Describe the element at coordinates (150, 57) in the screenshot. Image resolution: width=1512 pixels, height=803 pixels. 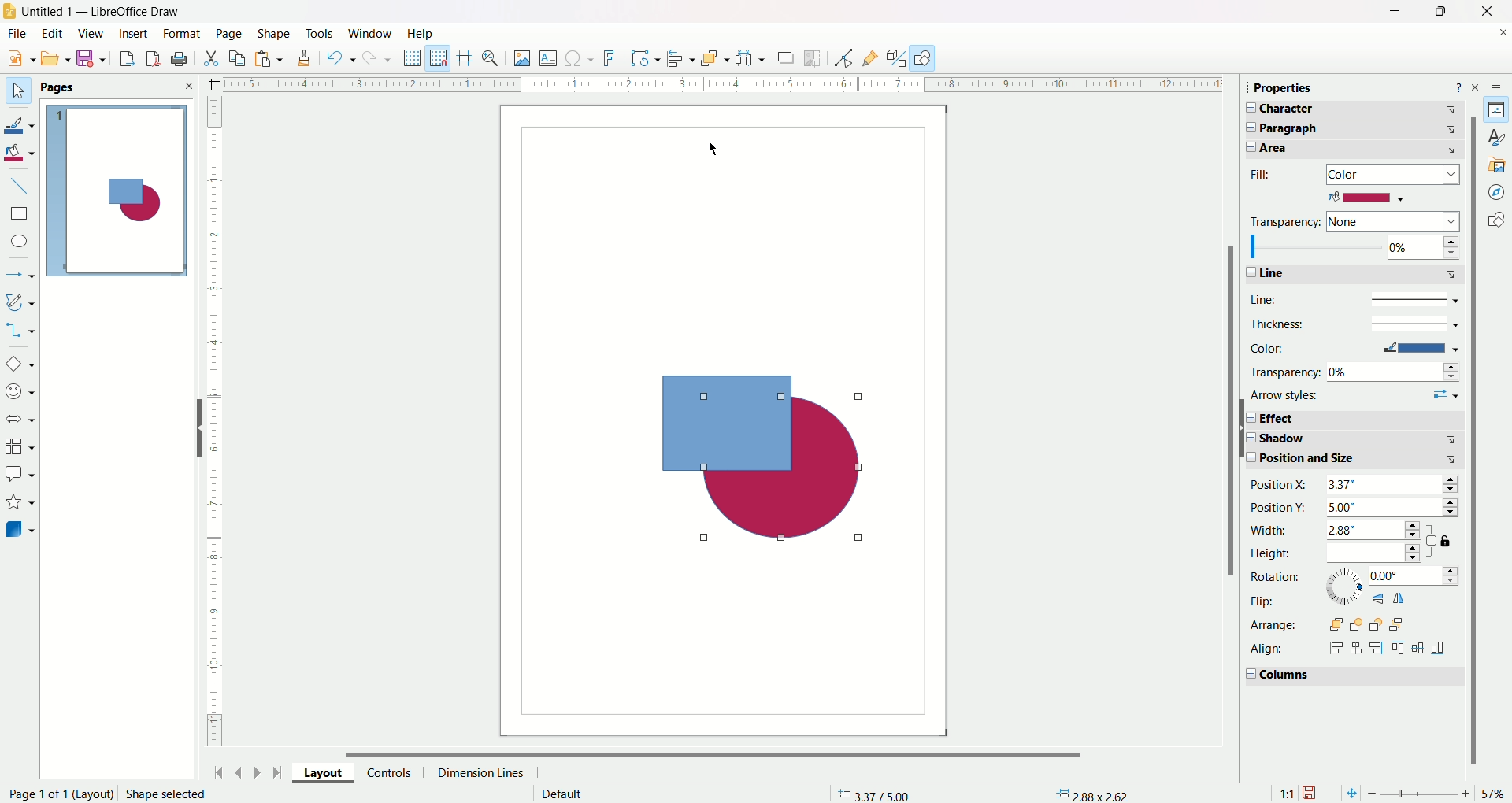
I see `export as PDF` at that location.